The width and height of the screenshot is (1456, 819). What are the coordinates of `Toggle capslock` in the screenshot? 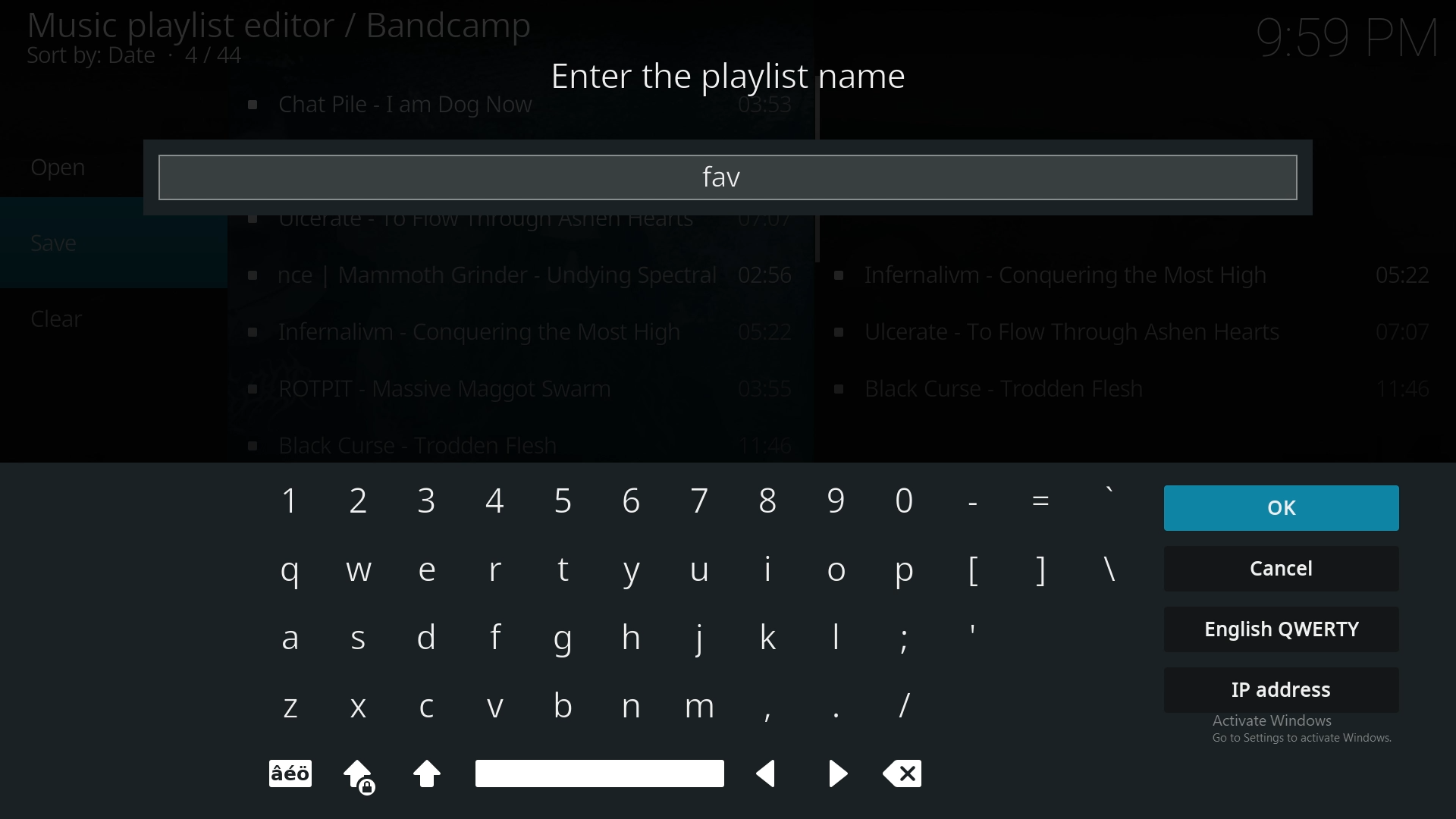 It's located at (359, 774).